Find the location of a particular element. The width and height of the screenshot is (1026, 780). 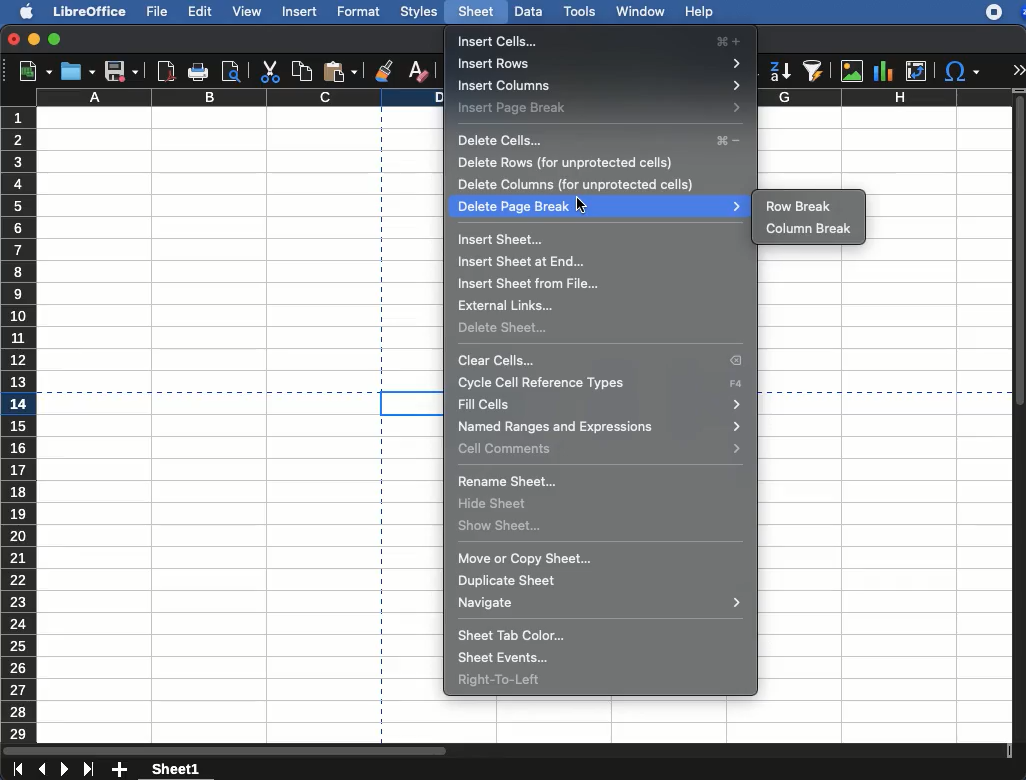

insert is located at coordinates (301, 11).